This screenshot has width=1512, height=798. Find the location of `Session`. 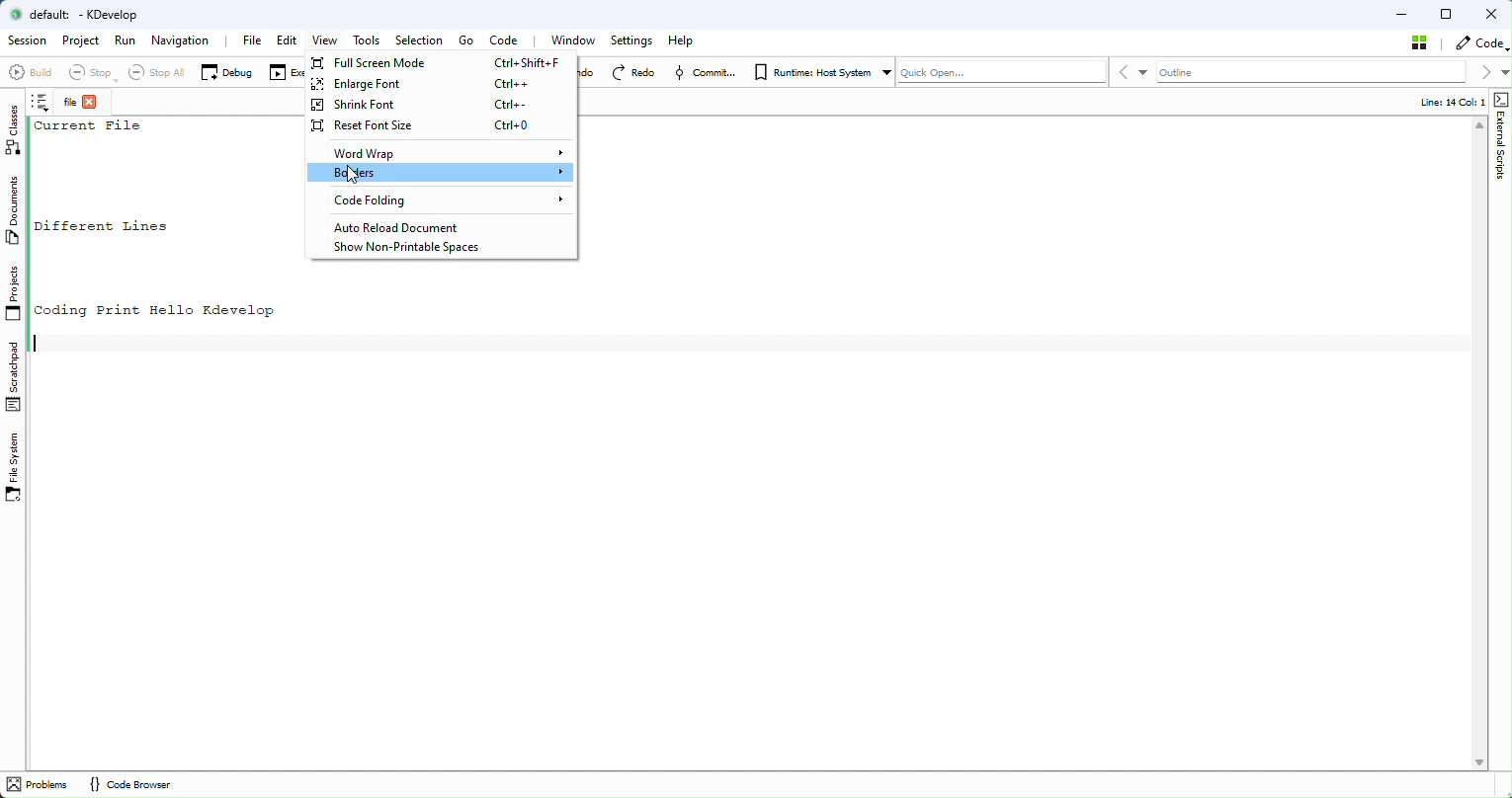

Session is located at coordinates (26, 41).